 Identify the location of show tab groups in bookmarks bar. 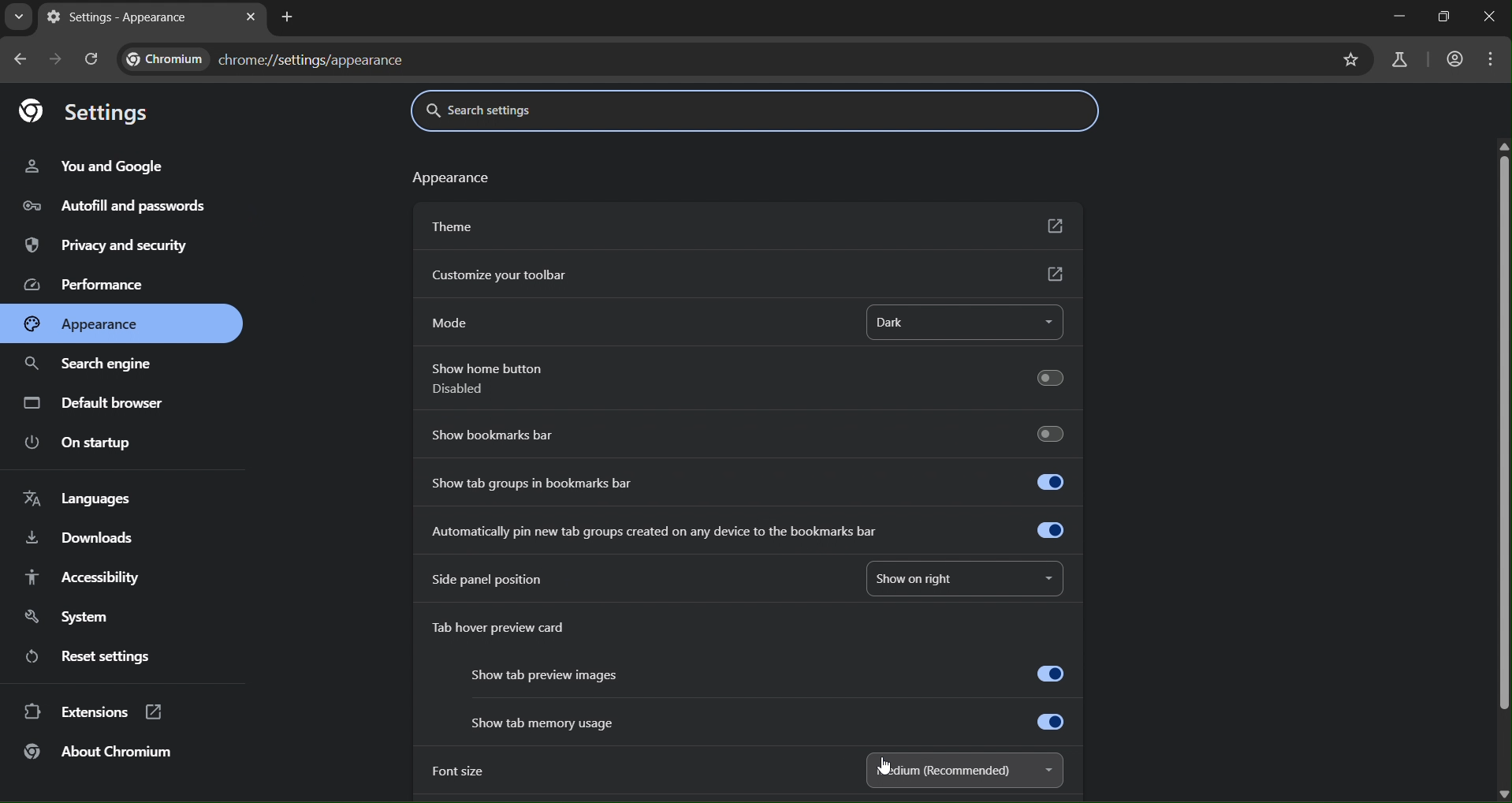
(752, 480).